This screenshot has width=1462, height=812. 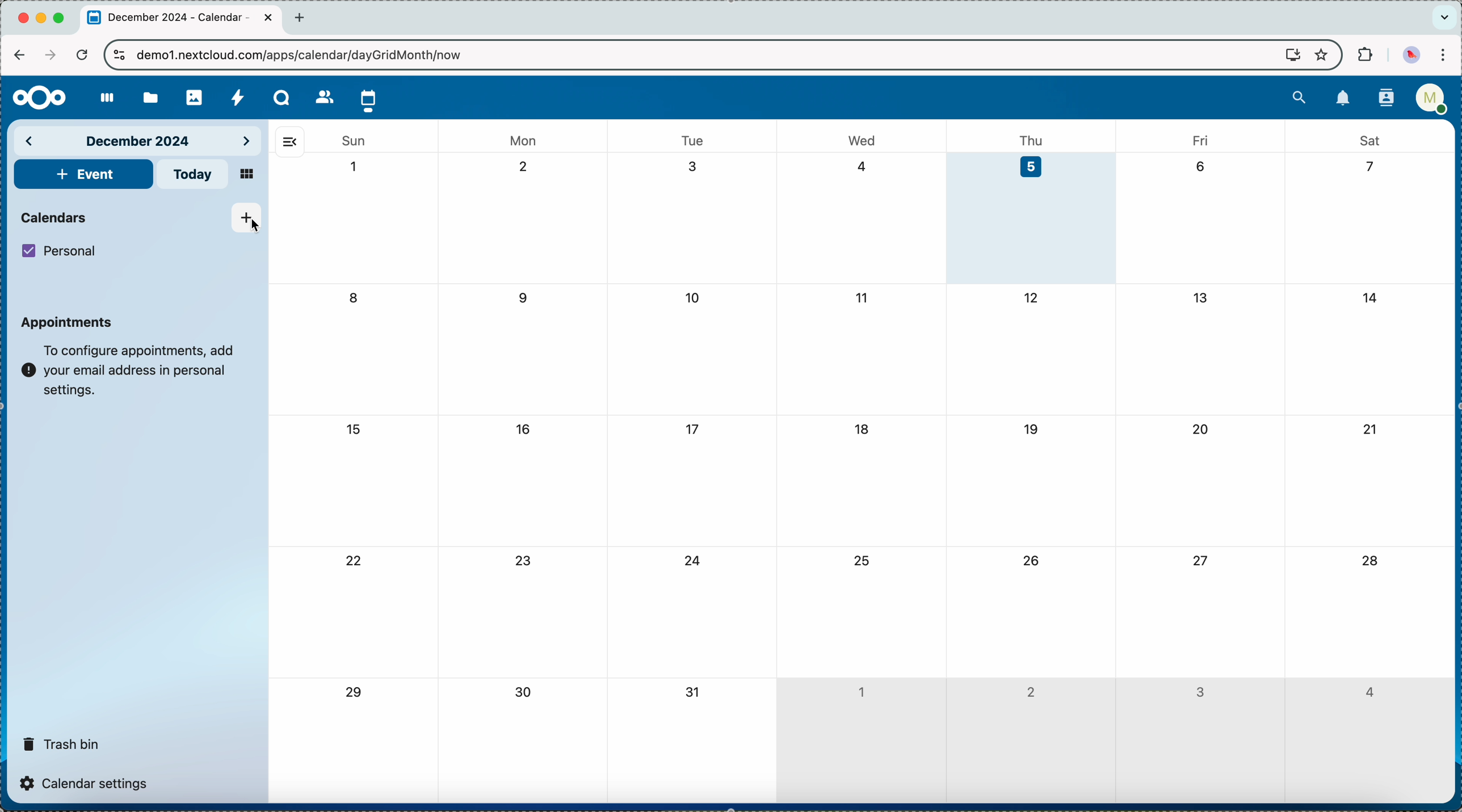 I want to click on mon, so click(x=524, y=137).